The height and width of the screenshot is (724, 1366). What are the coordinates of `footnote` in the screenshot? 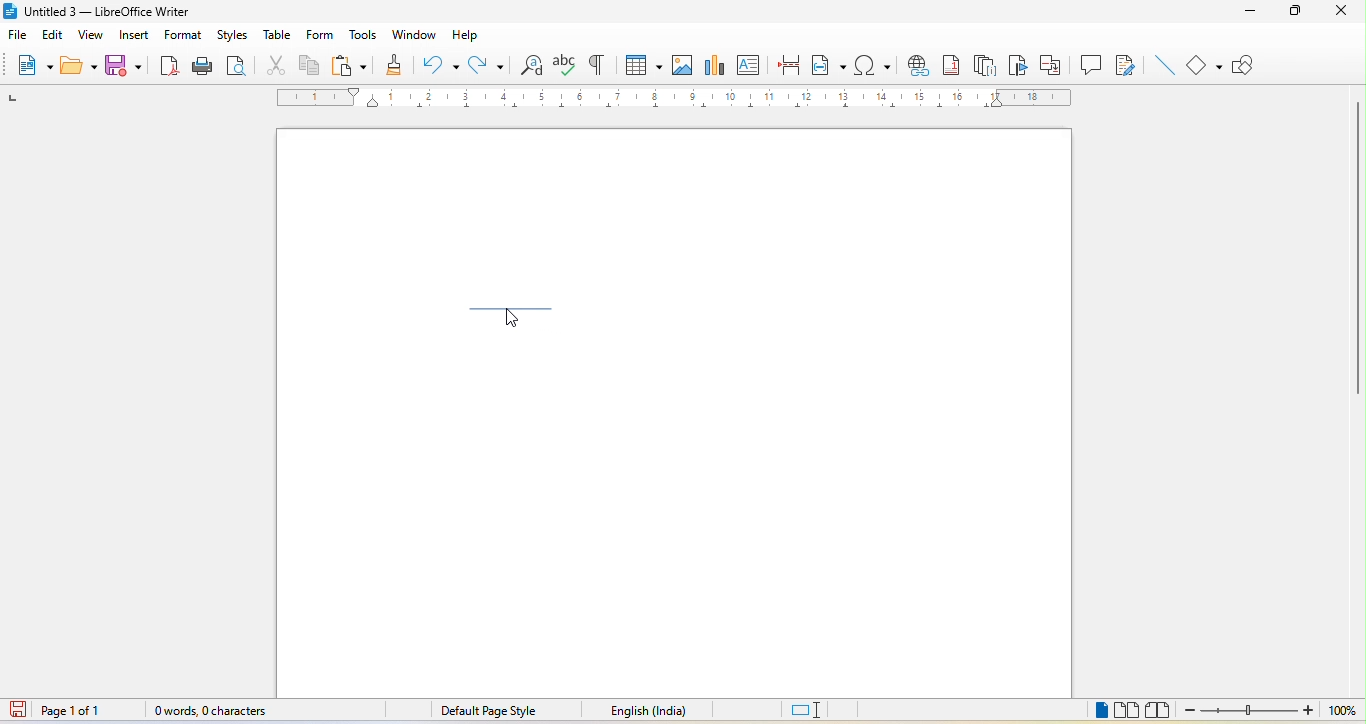 It's located at (952, 66).